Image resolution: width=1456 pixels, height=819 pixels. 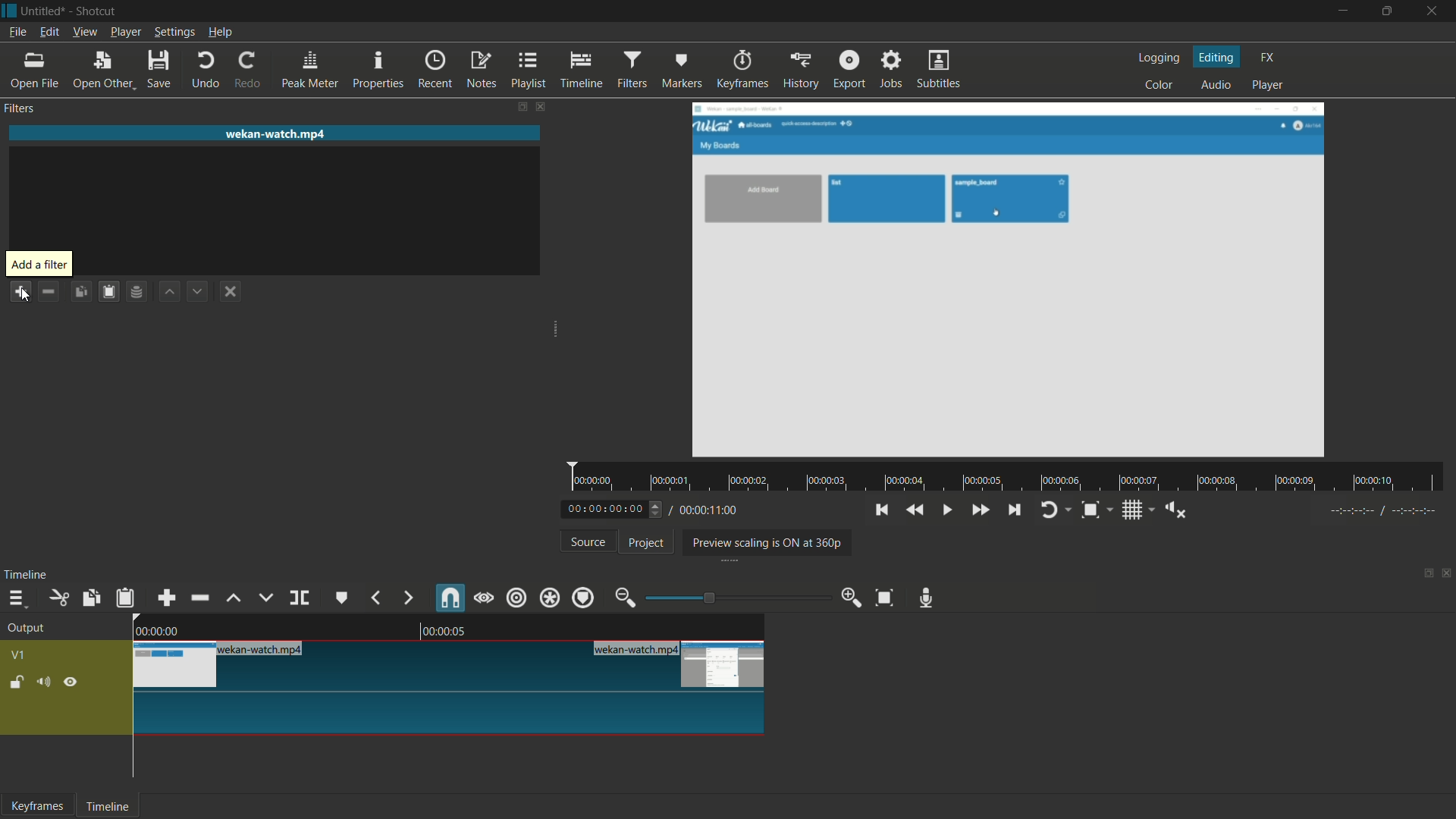 I want to click on remove a filter, so click(x=49, y=293).